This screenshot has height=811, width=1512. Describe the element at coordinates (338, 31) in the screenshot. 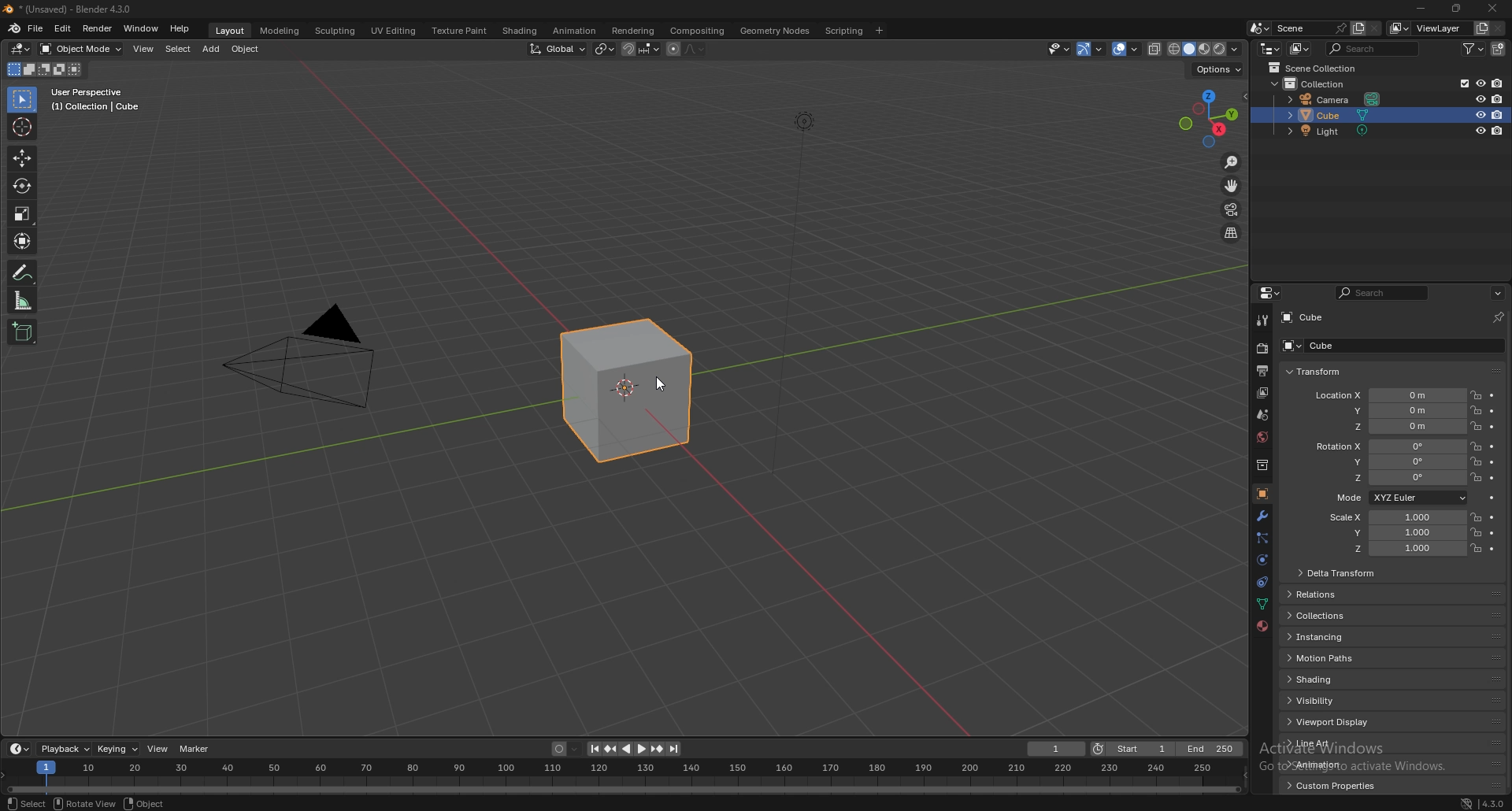

I see `sculpting` at that location.